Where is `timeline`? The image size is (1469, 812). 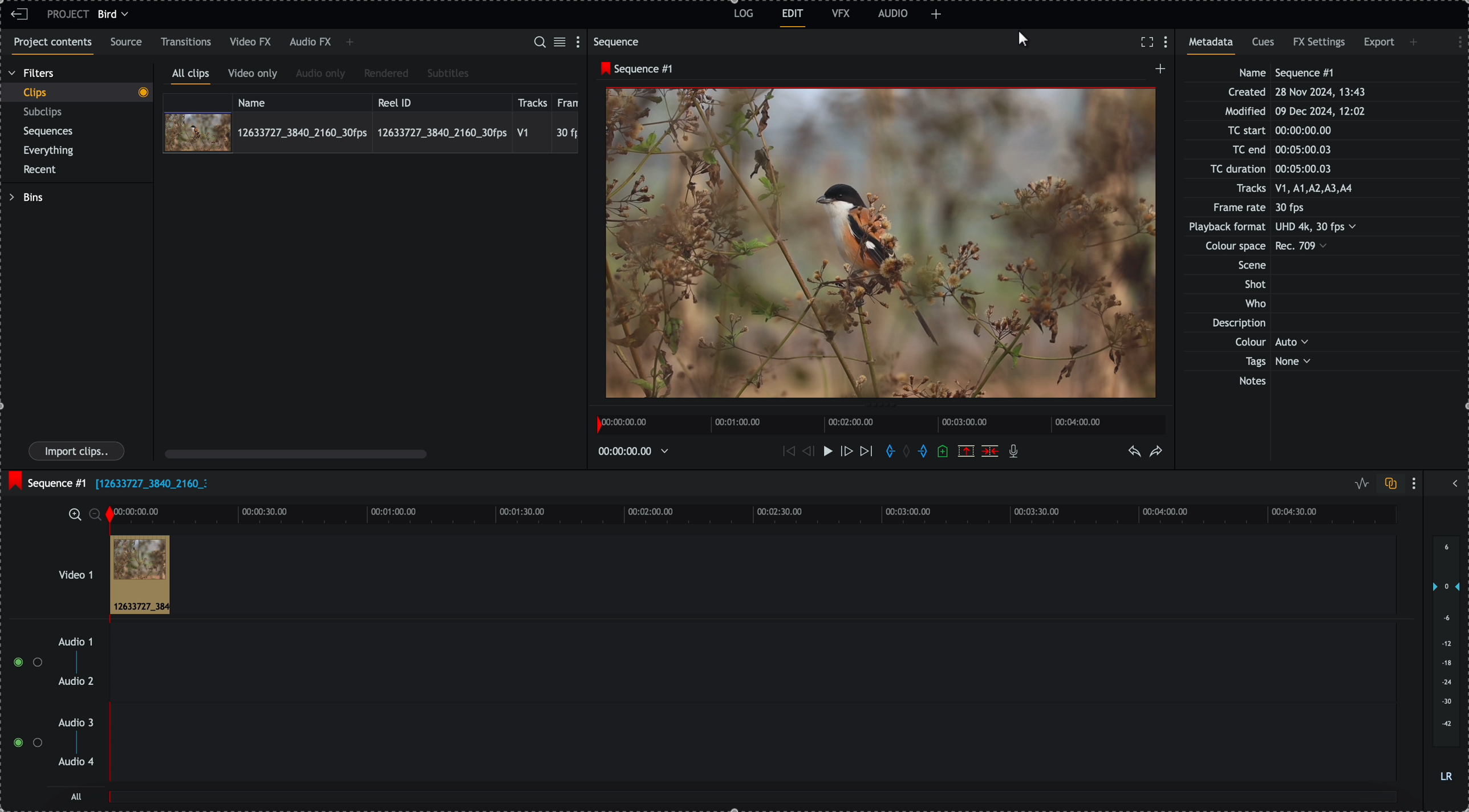
timeline is located at coordinates (884, 423).